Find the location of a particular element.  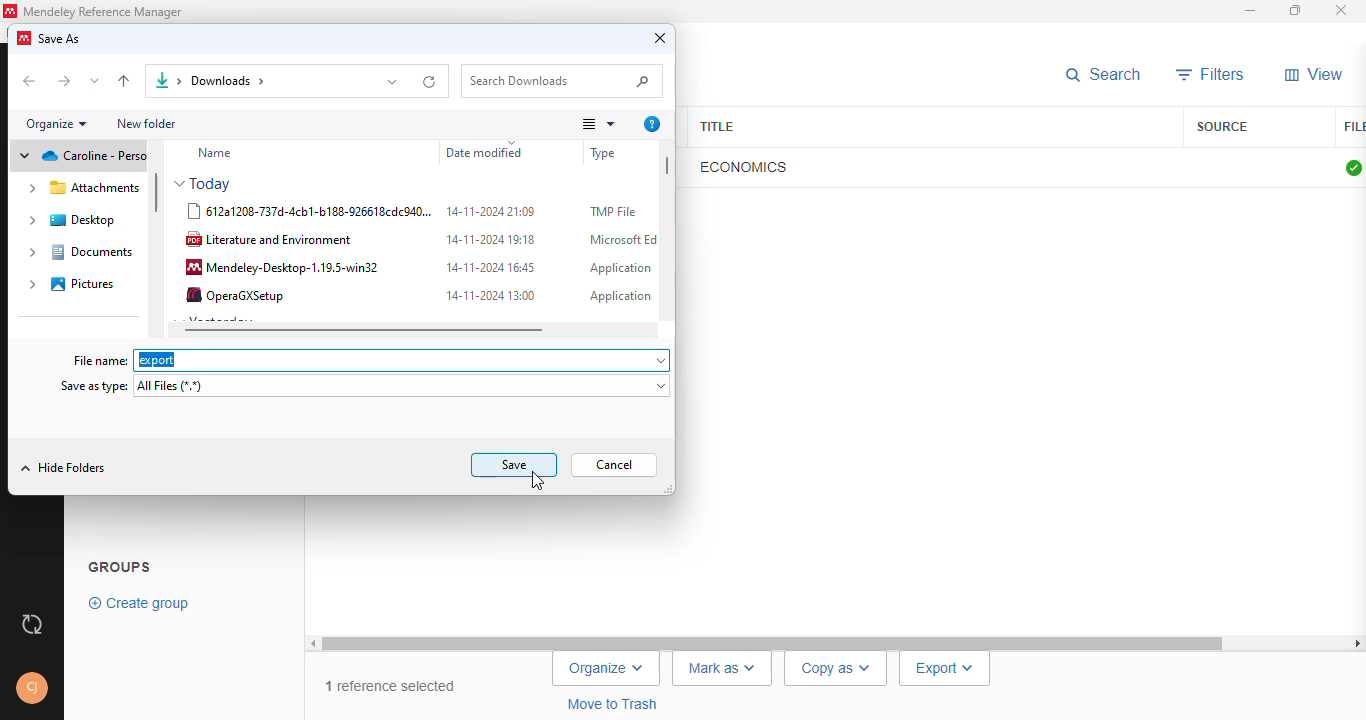

search downloads is located at coordinates (561, 80).